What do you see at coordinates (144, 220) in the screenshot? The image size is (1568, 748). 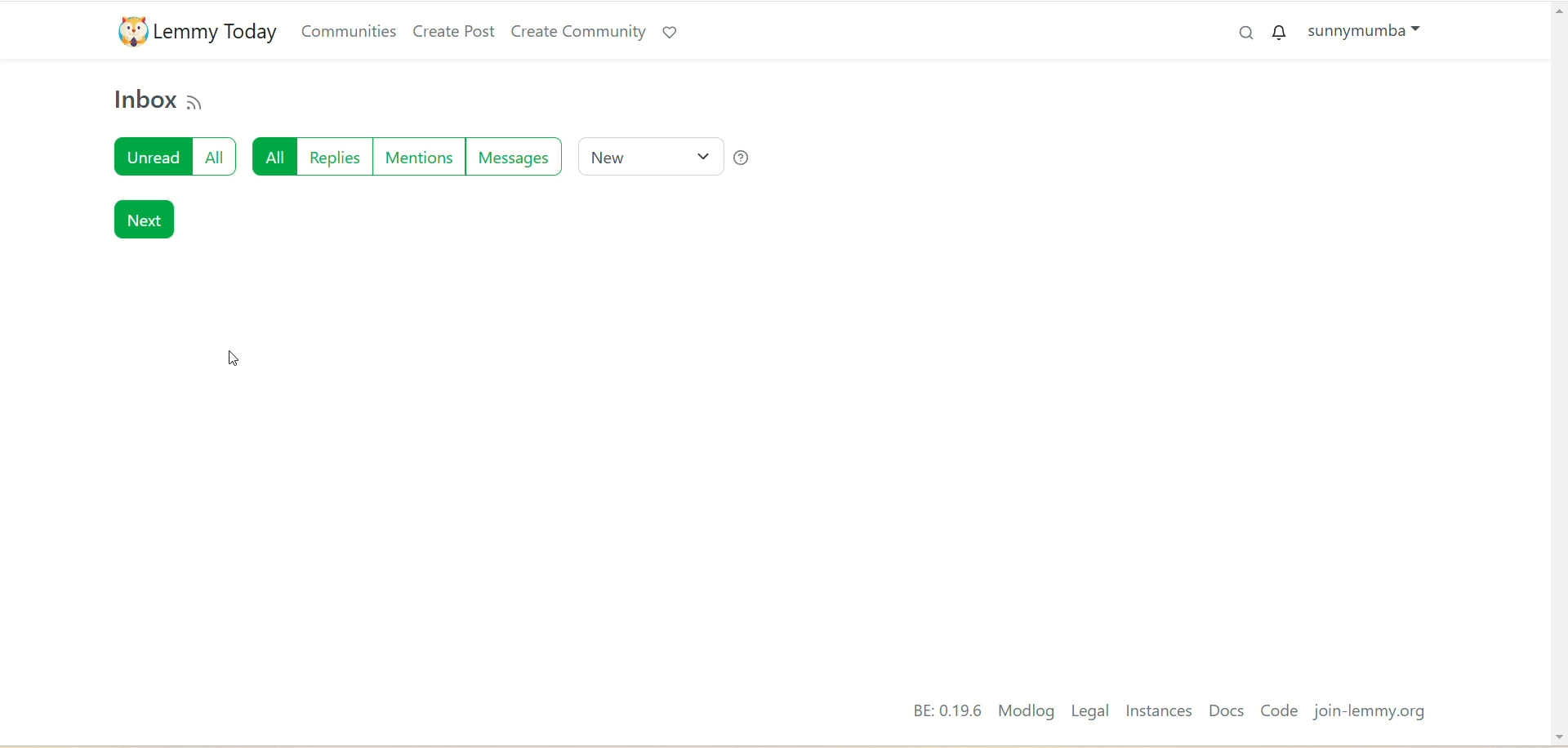 I see `Next` at bounding box center [144, 220].